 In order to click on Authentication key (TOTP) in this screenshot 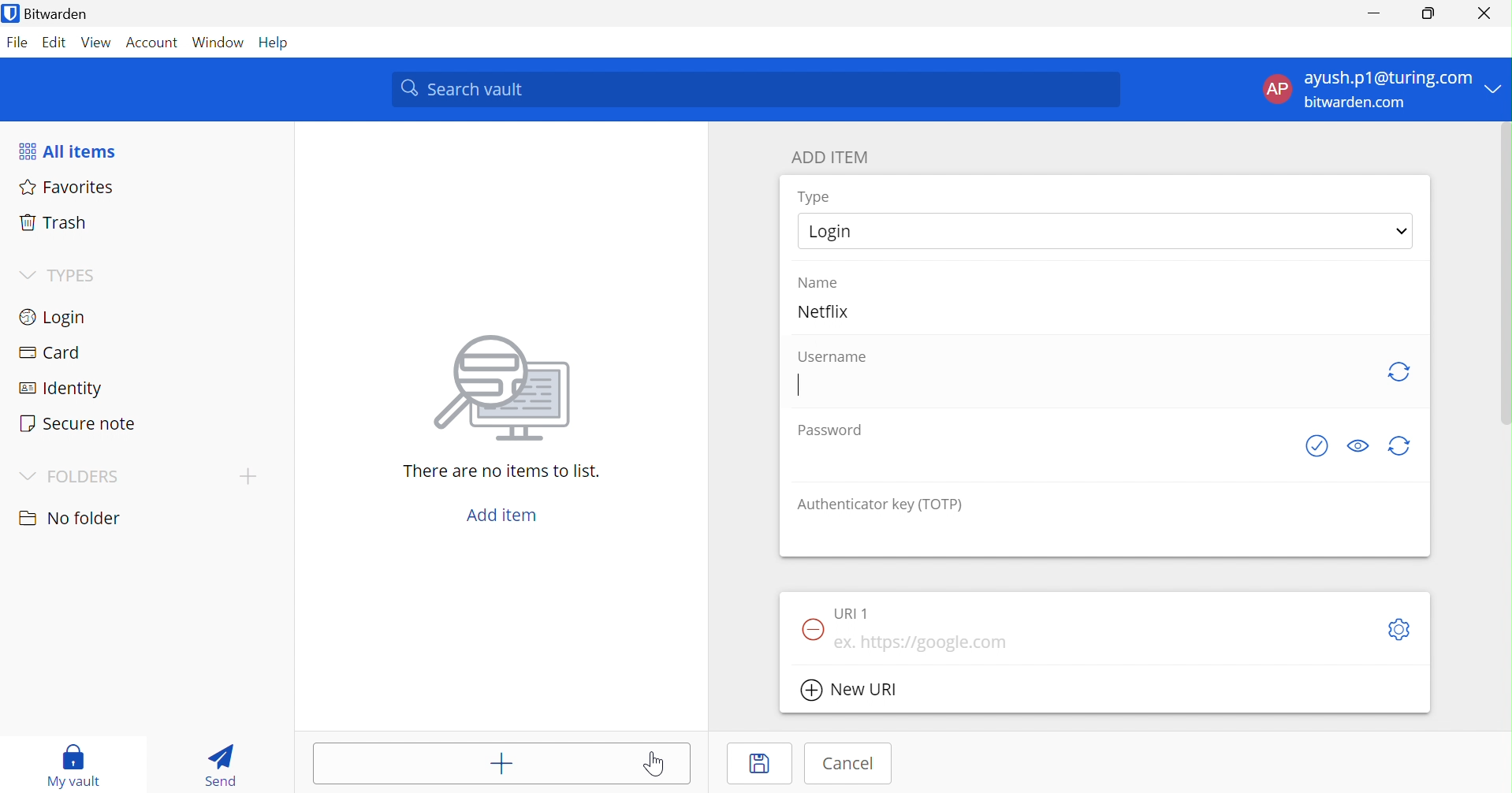, I will do `click(880, 506)`.